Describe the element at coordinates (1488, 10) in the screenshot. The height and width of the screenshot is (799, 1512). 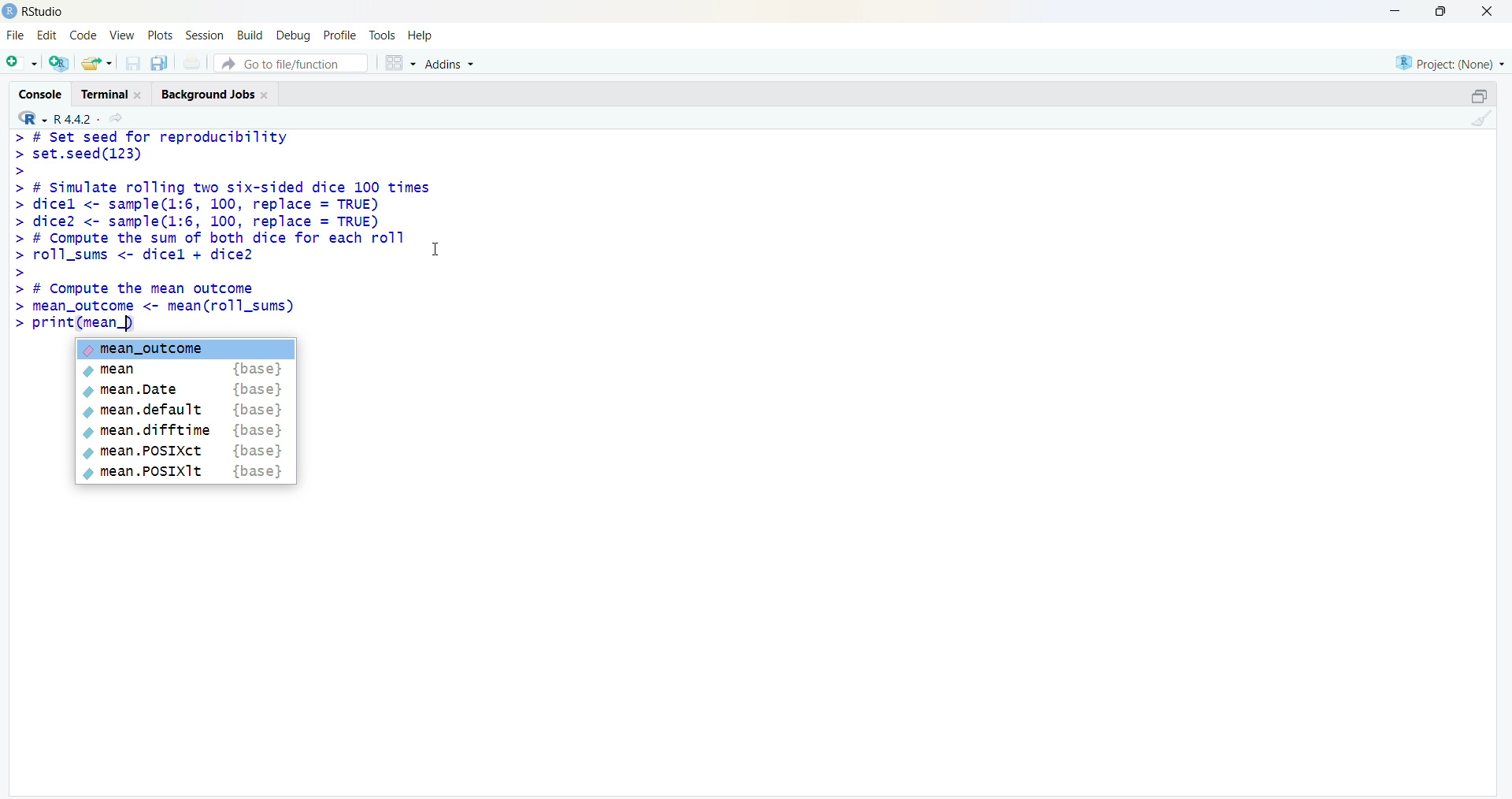
I see `close` at that location.